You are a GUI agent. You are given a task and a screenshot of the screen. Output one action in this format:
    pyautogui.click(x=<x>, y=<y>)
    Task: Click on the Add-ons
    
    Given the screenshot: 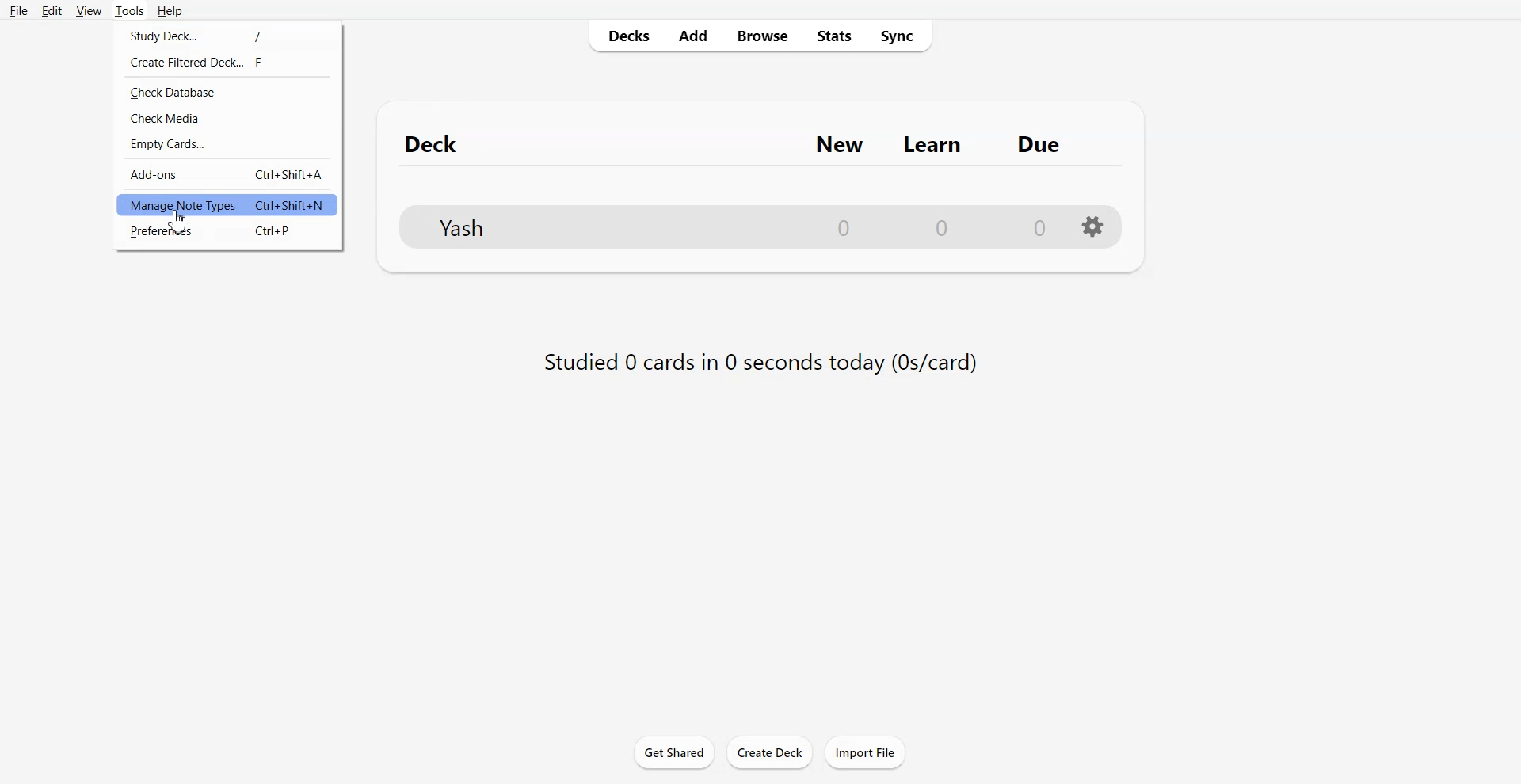 What is the action you would take?
    pyautogui.click(x=226, y=174)
    